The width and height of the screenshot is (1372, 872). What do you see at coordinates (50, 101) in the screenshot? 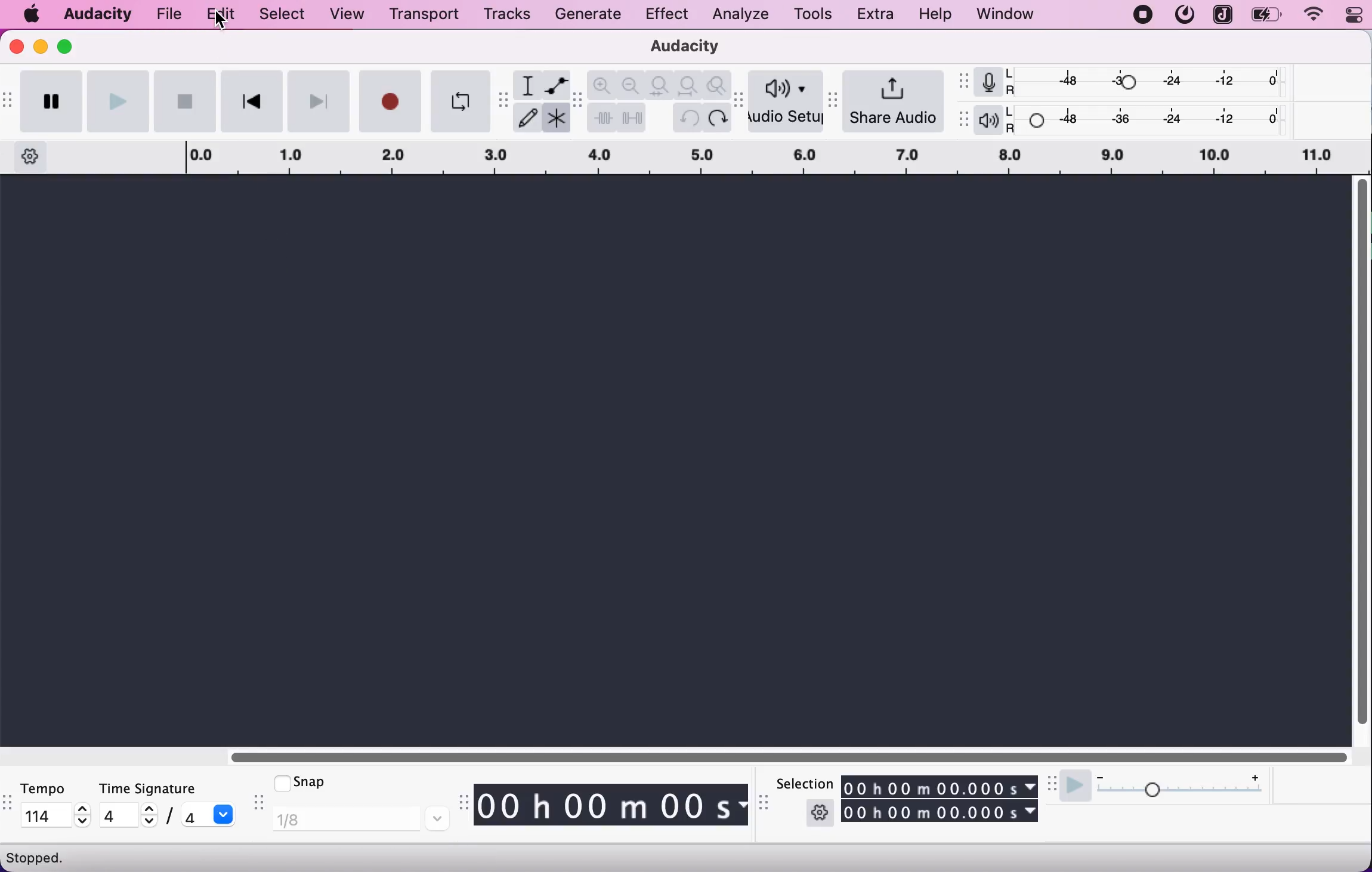
I see `pause` at bounding box center [50, 101].